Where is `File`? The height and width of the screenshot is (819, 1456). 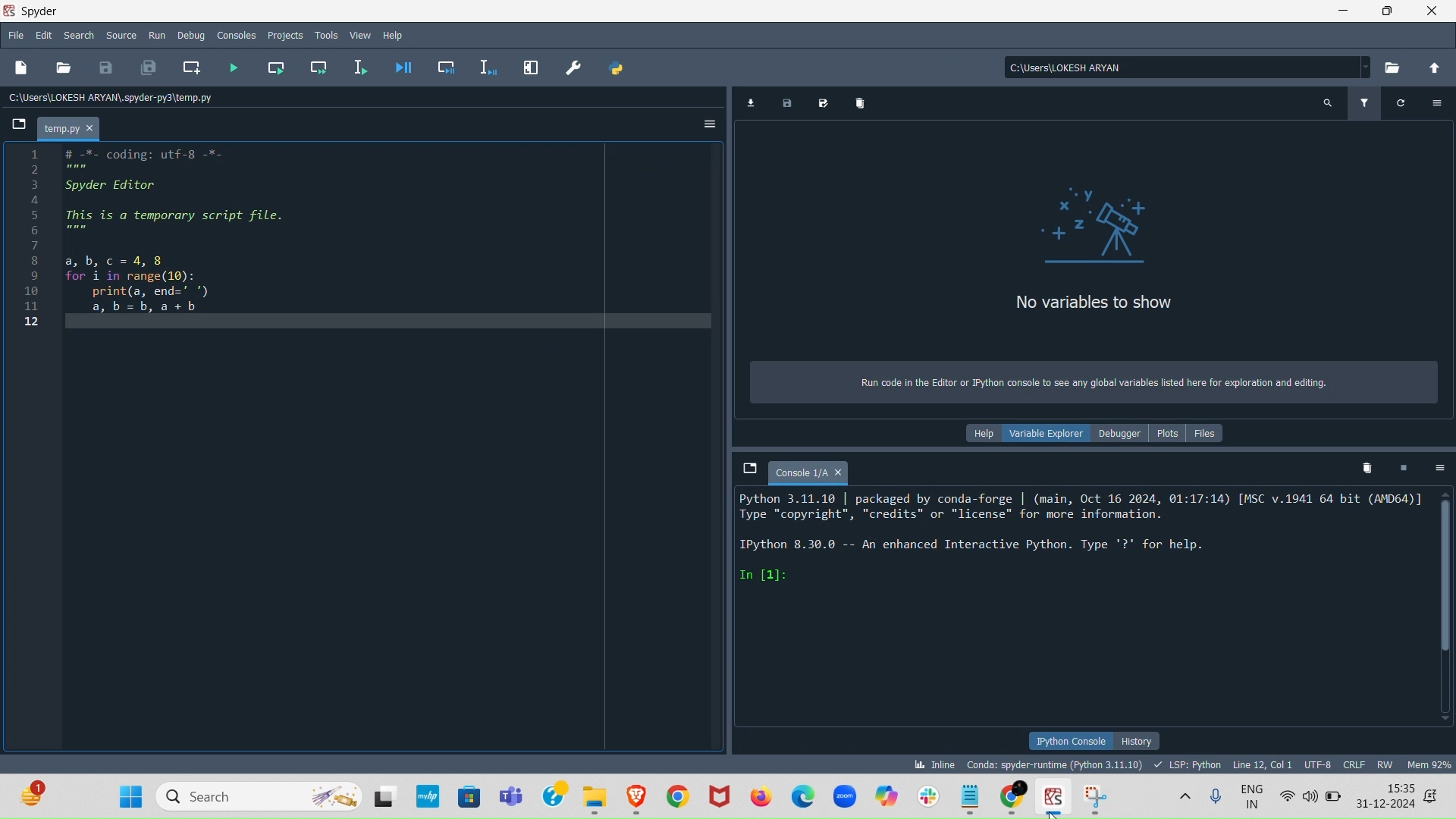
File is located at coordinates (14, 33).